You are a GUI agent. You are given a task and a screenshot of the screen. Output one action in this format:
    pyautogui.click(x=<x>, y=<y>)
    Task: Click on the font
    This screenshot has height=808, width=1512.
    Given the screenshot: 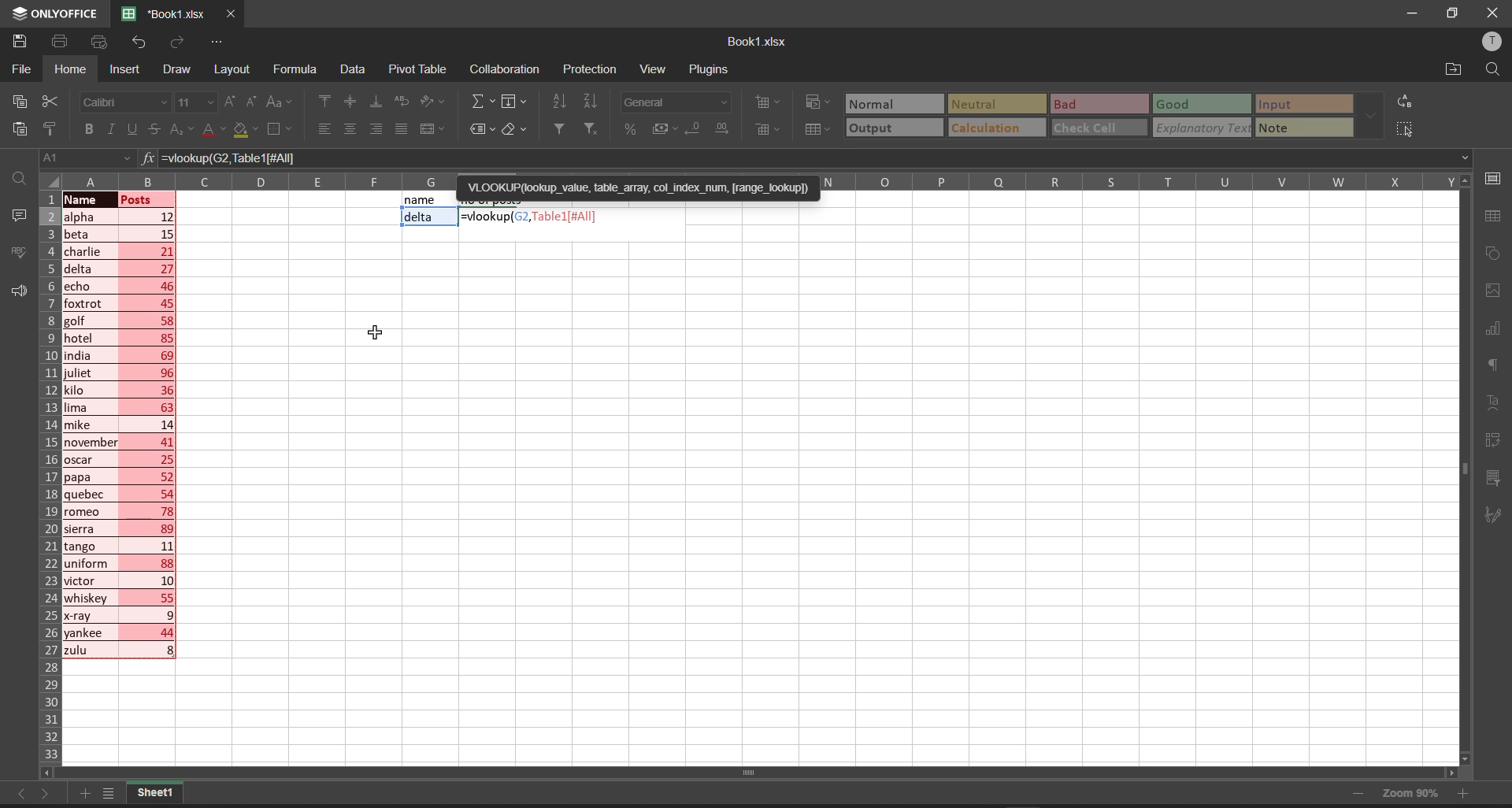 What is the action you would take?
    pyautogui.click(x=124, y=101)
    